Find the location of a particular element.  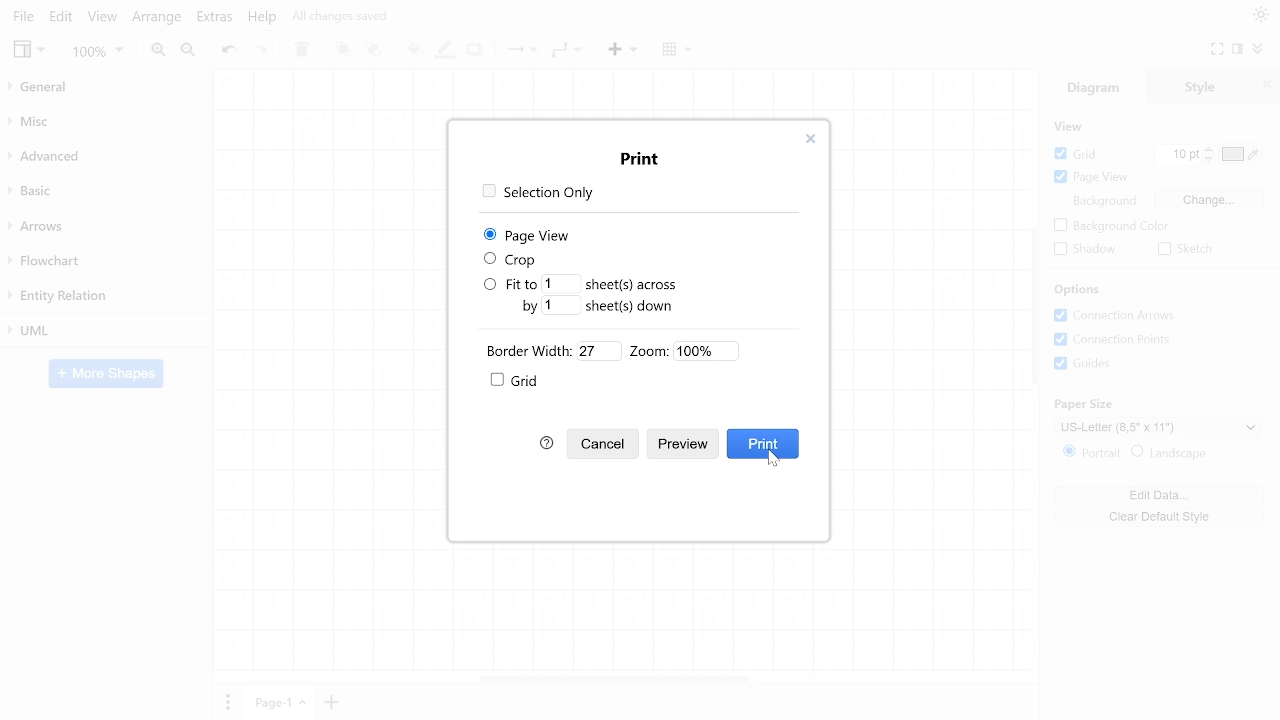

Connection points is located at coordinates (1118, 339).